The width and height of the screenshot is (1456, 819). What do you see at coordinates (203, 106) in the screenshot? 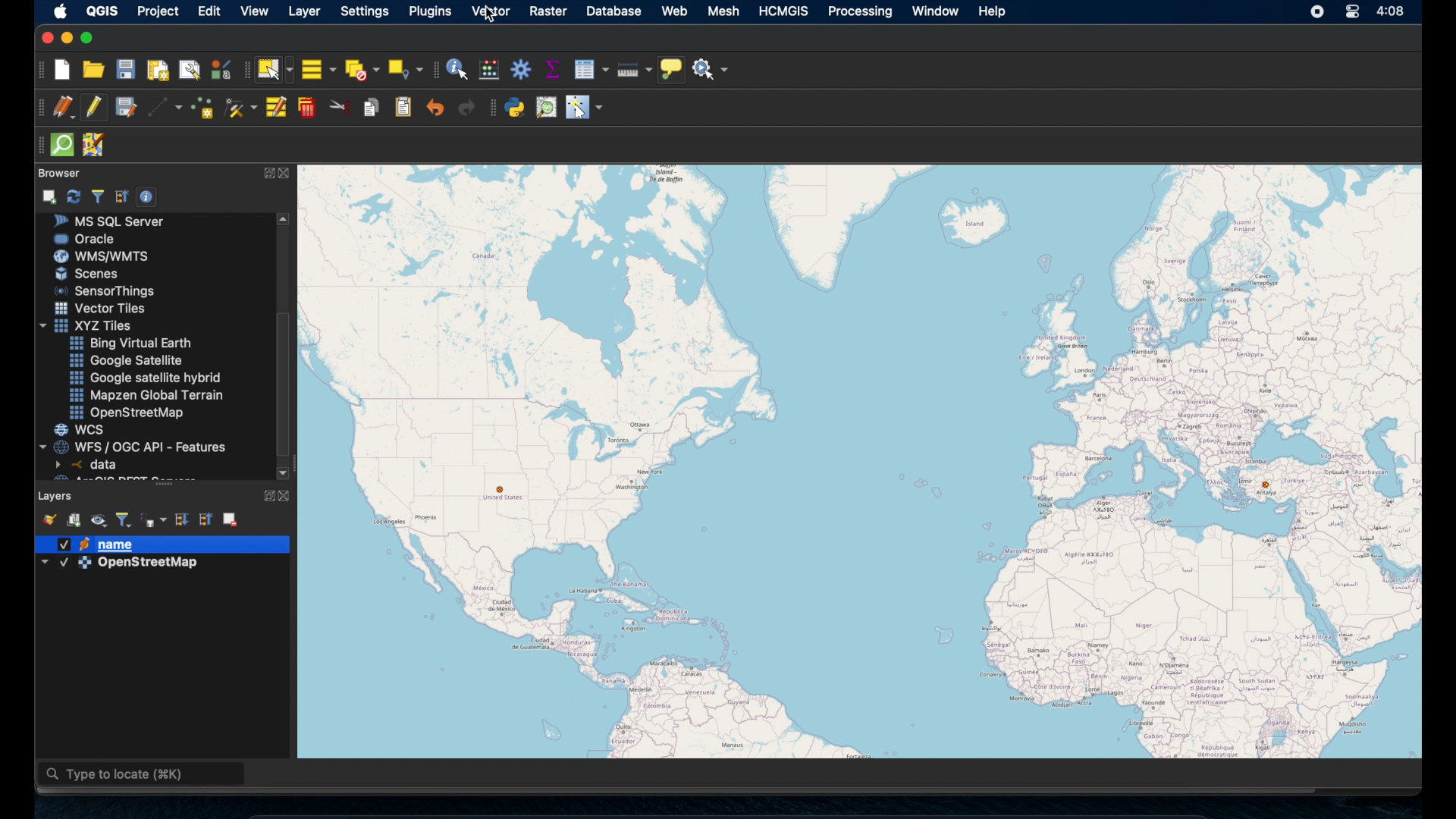
I see `add point feature` at bounding box center [203, 106].